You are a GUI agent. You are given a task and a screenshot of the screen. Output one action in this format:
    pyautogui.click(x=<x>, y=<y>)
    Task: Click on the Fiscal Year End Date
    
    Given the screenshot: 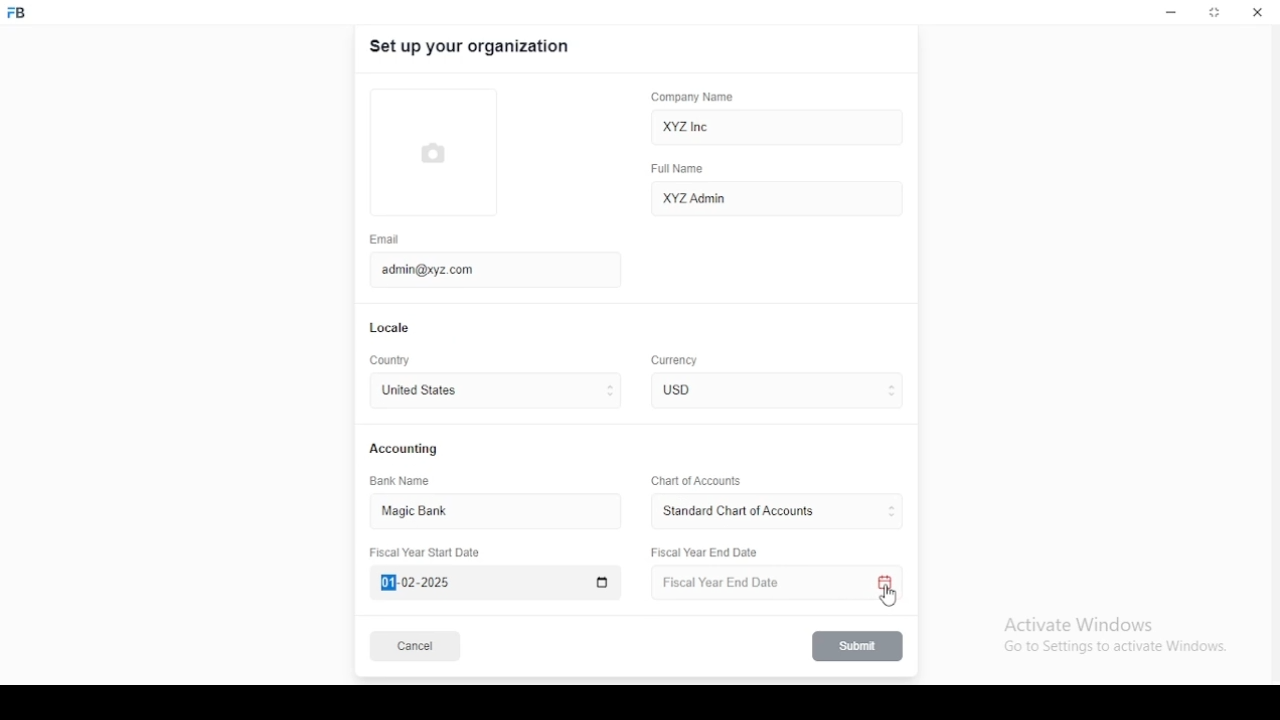 What is the action you would take?
    pyautogui.click(x=706, y=552)
    